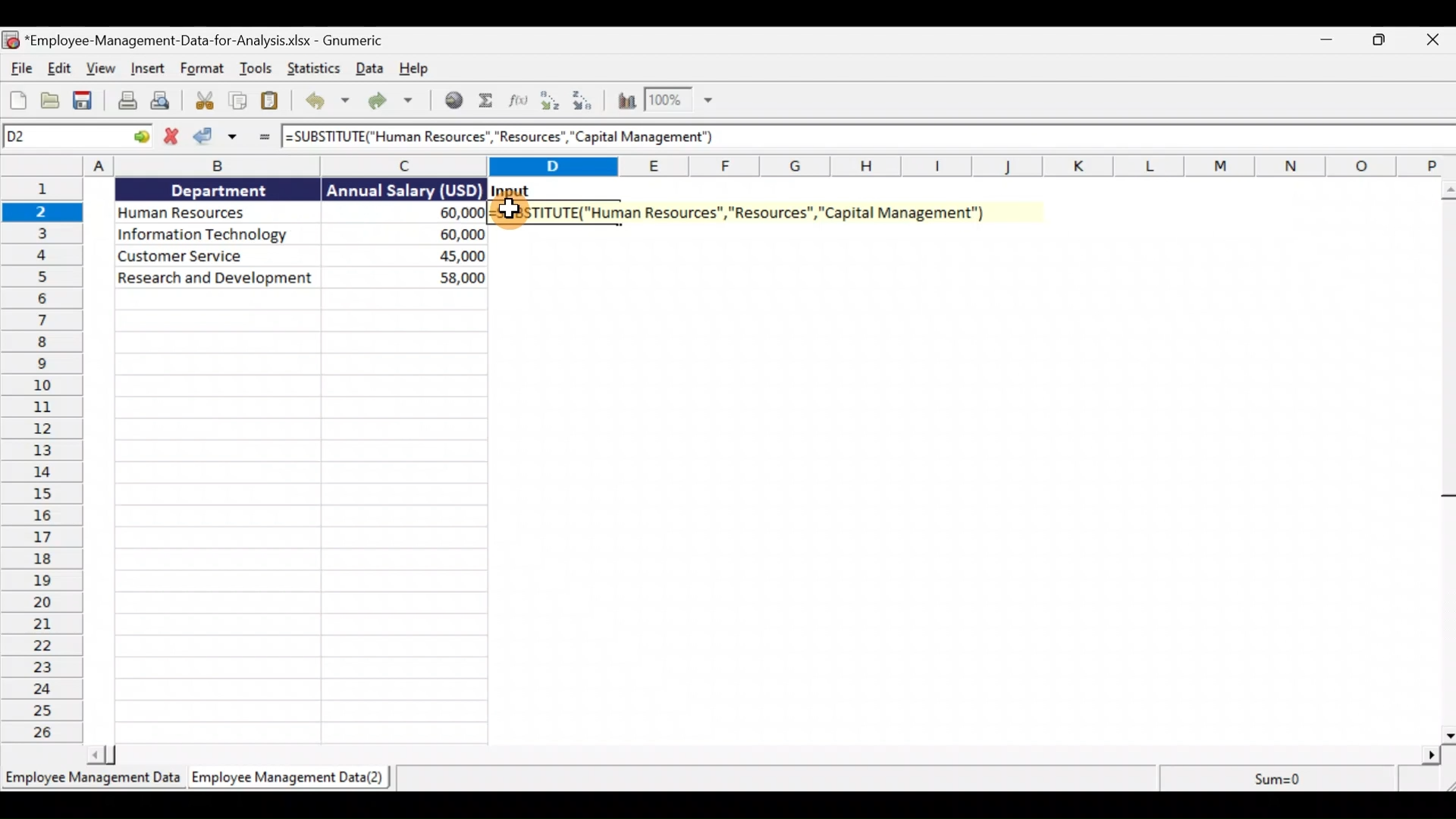  What do you see at coordinates (301, 515) in the screenshot?
I see `cells` at bounding box center [301, 515].